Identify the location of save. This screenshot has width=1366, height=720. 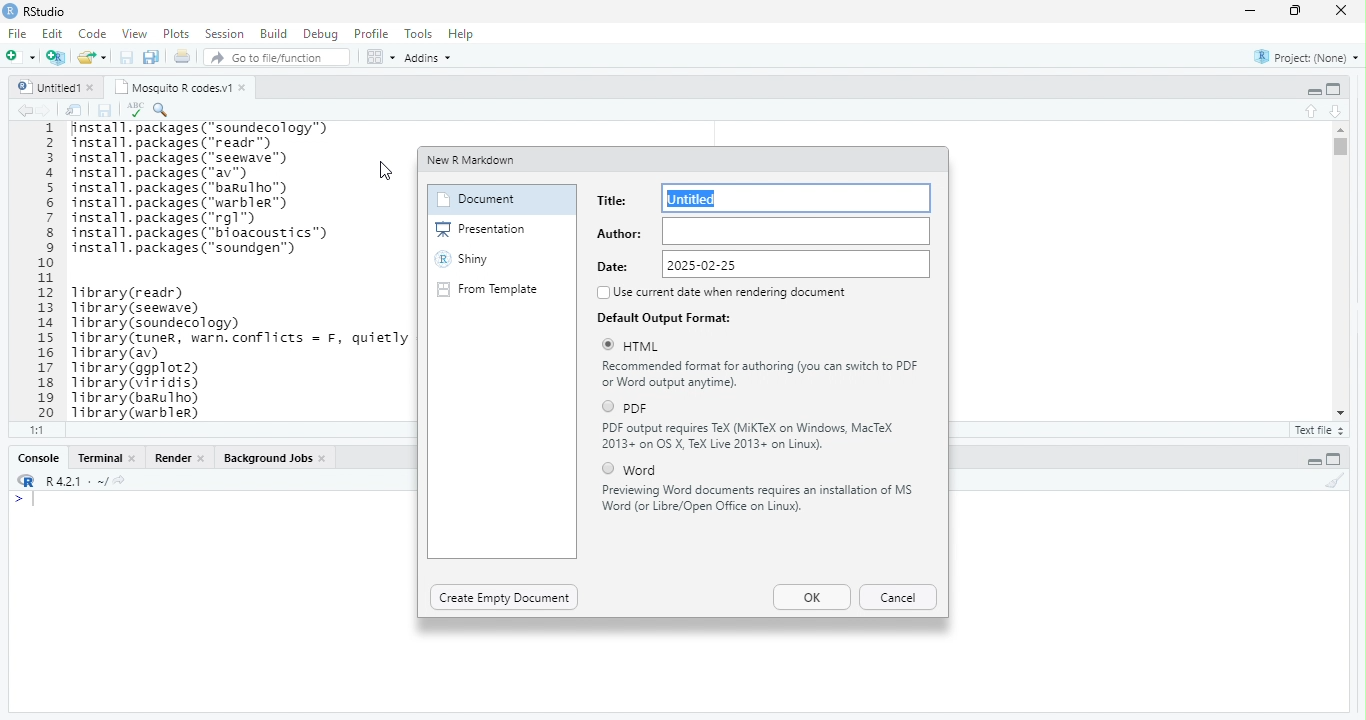
(104, 111).